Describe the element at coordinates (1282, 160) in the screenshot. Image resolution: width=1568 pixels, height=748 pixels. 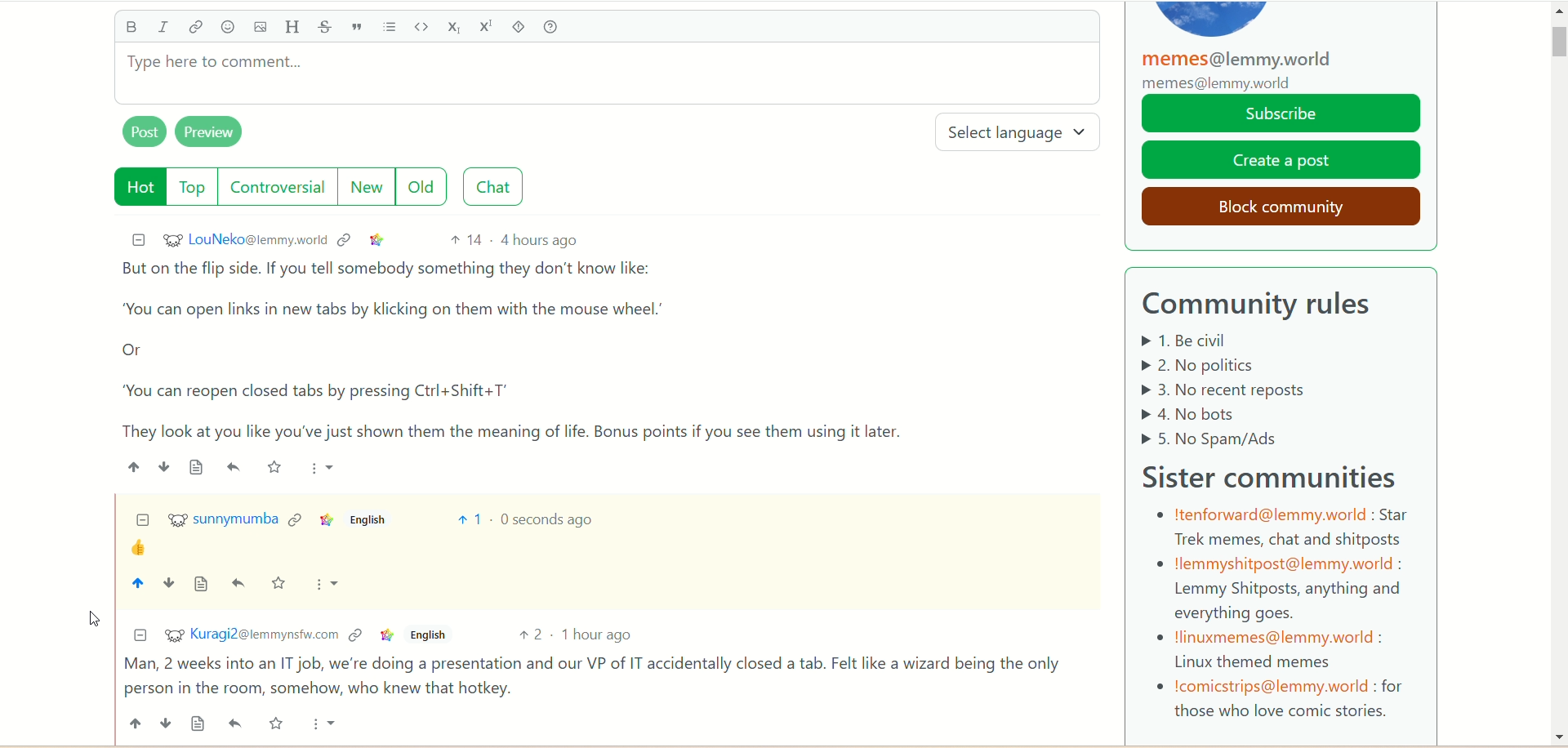
I see `create a post` at that location.